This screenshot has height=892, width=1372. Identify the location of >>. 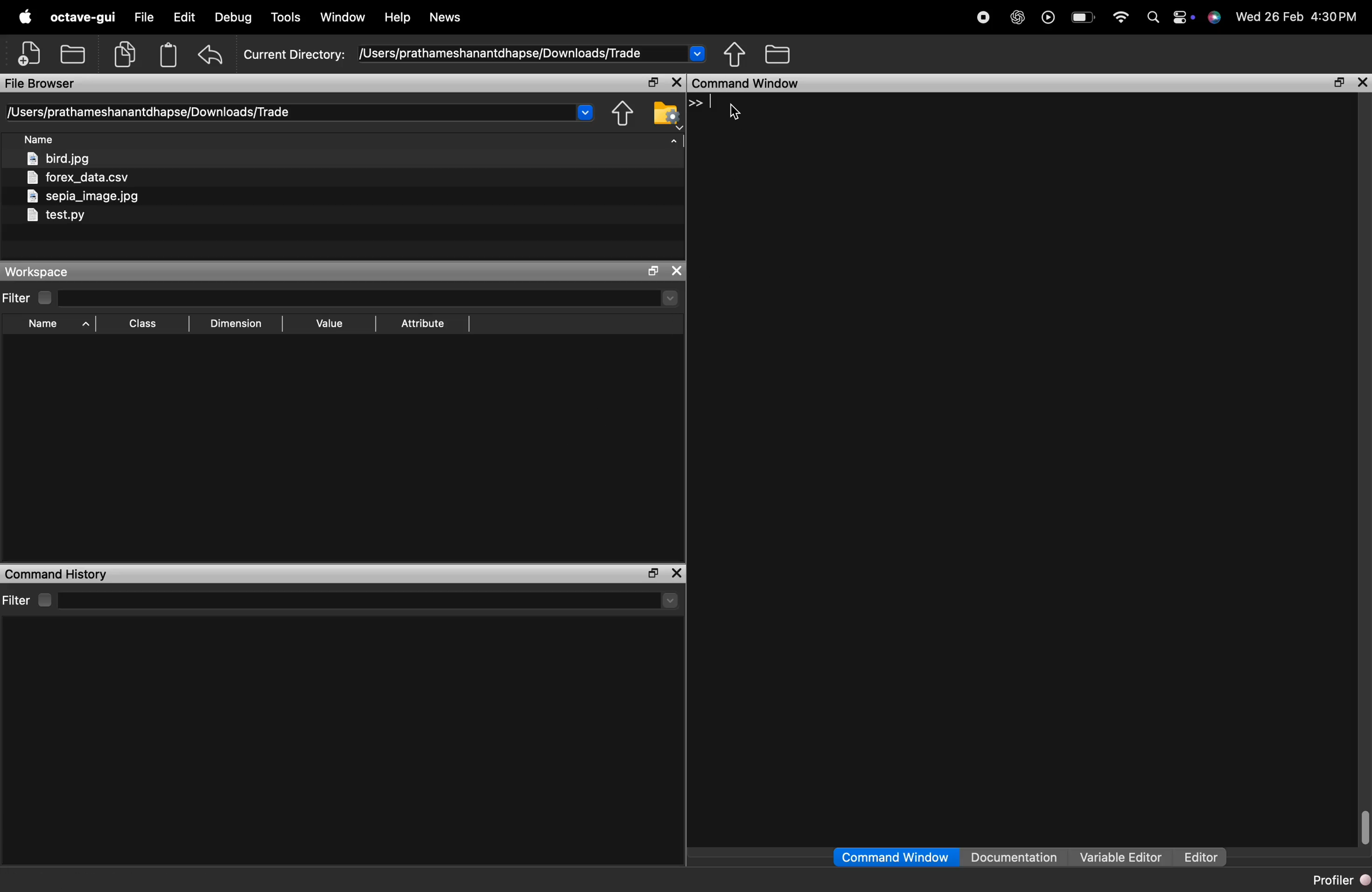
(695, 104).